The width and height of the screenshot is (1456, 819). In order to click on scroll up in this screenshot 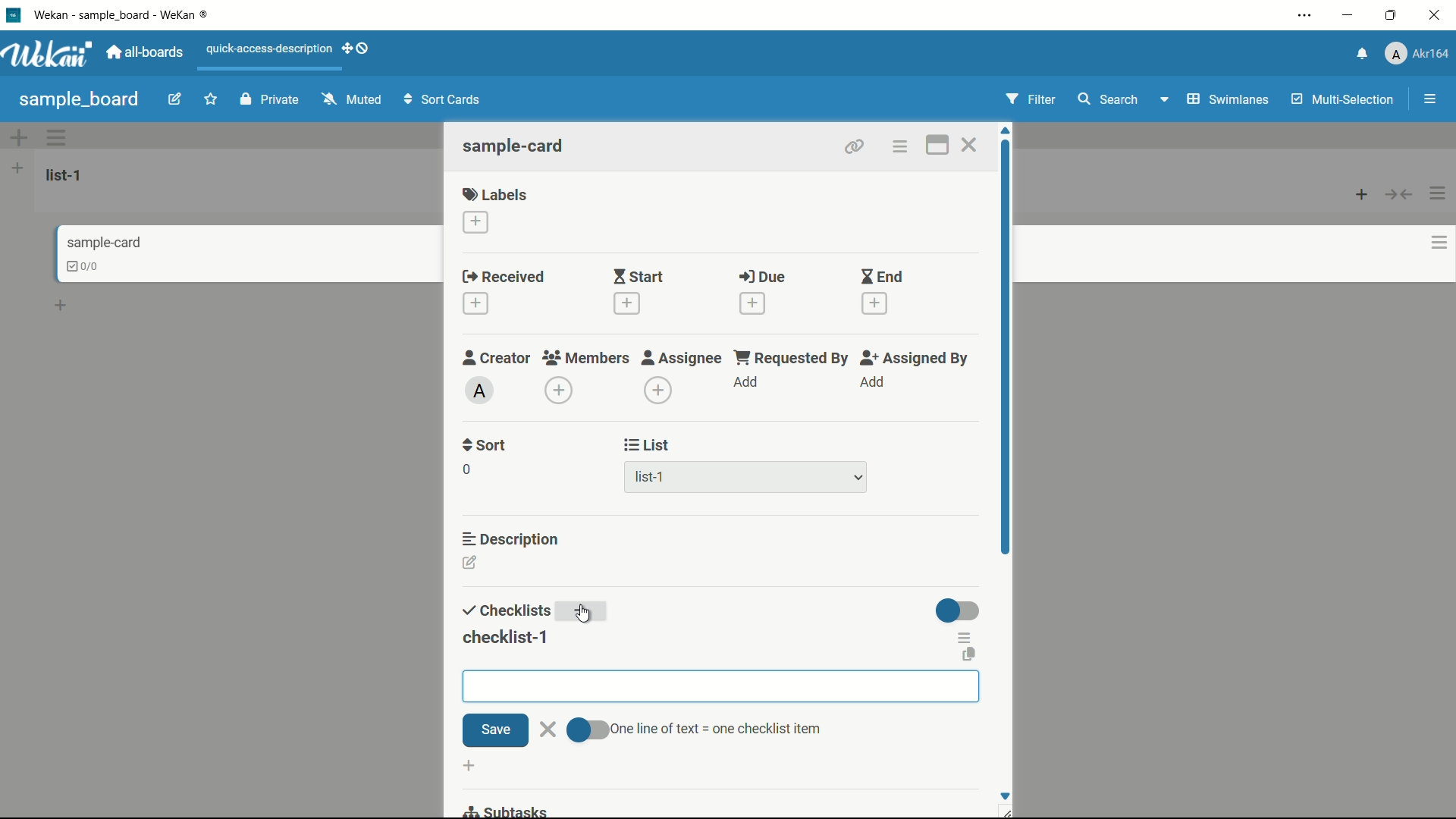, I will do `click(1007, 130)`.